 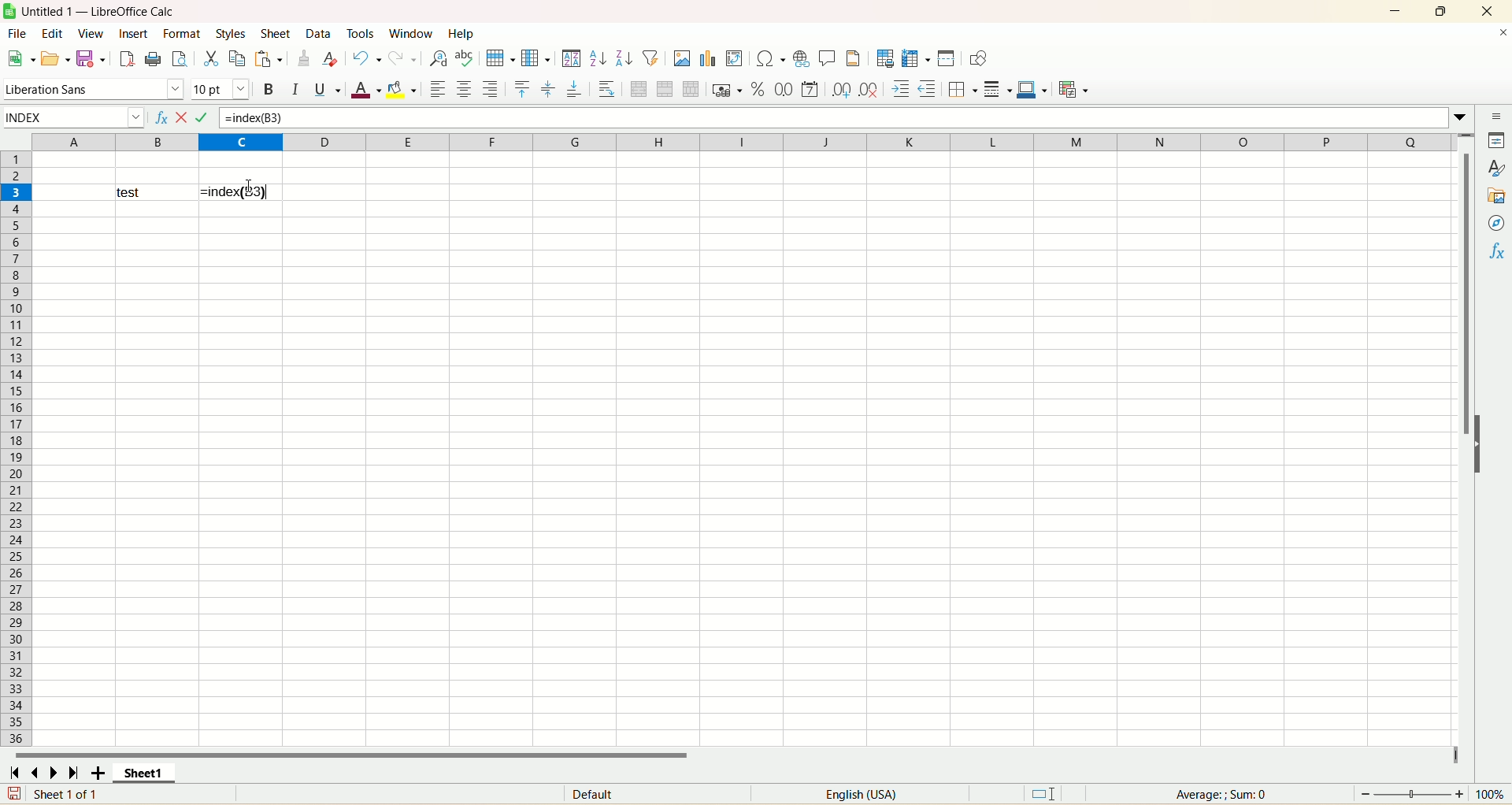 I want to click on align top, so click(x=522, y=89).